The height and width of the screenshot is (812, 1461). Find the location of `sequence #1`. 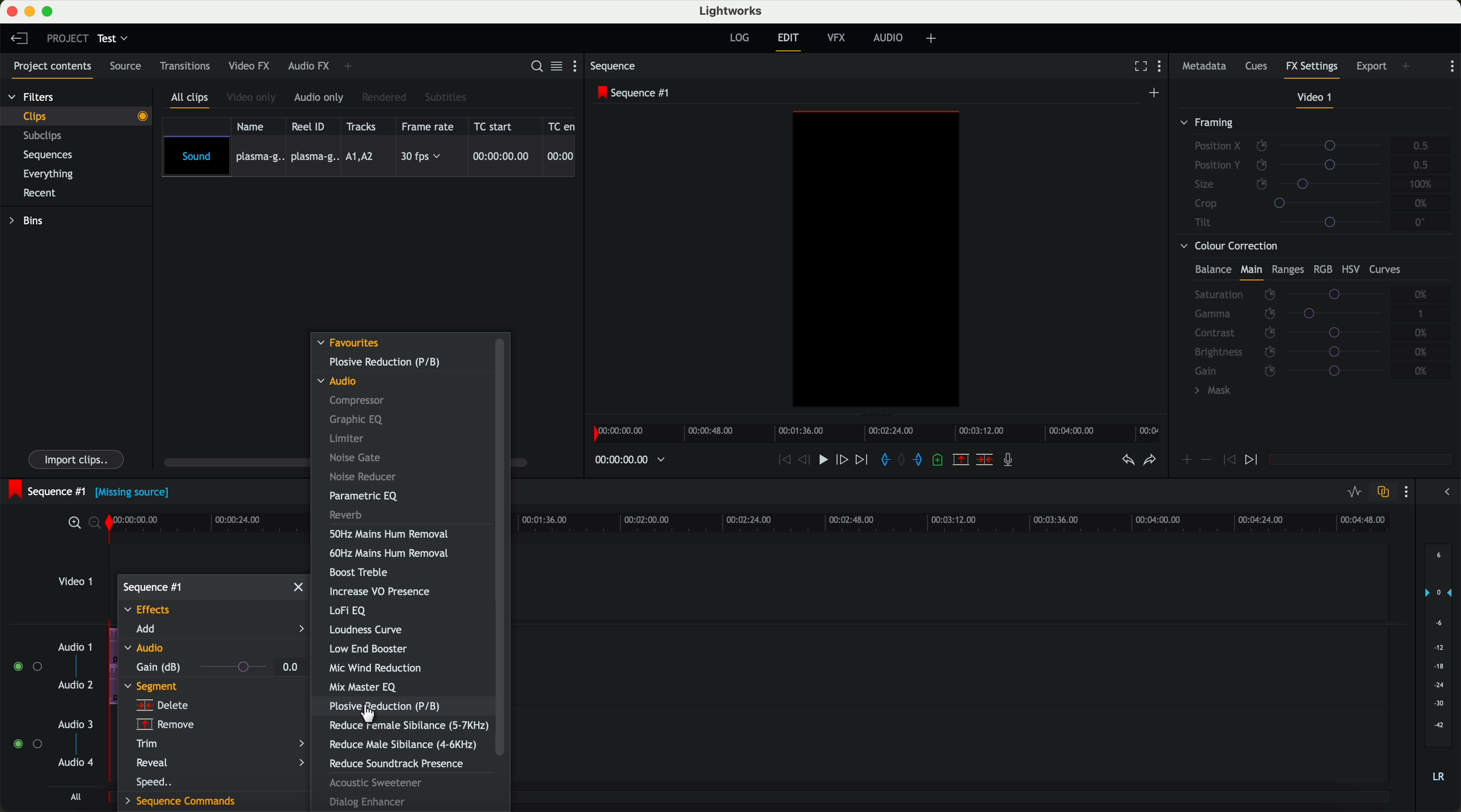

sequence #1 is located at coordinates (153, 586).